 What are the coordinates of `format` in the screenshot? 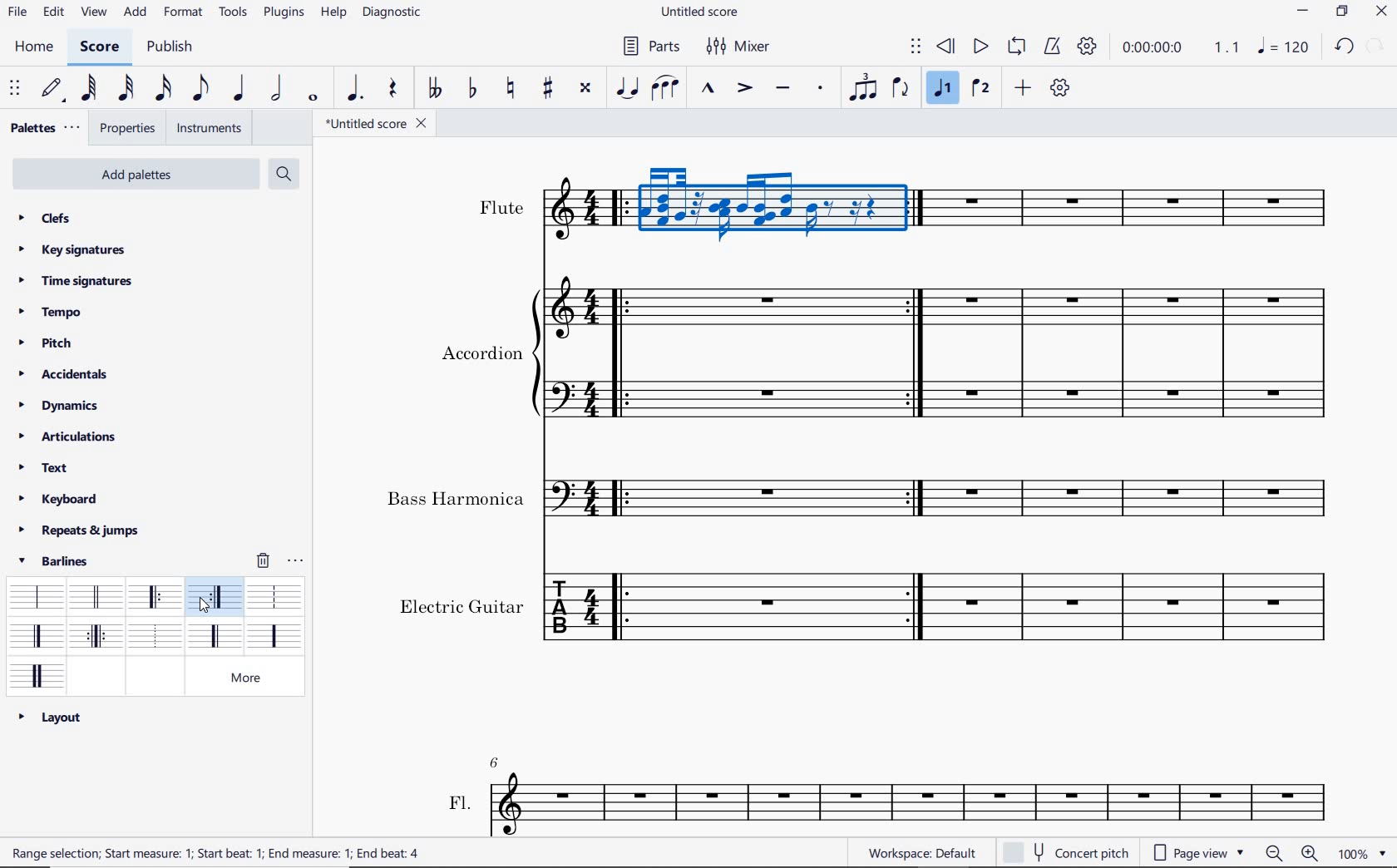 It's located at (183, 15).